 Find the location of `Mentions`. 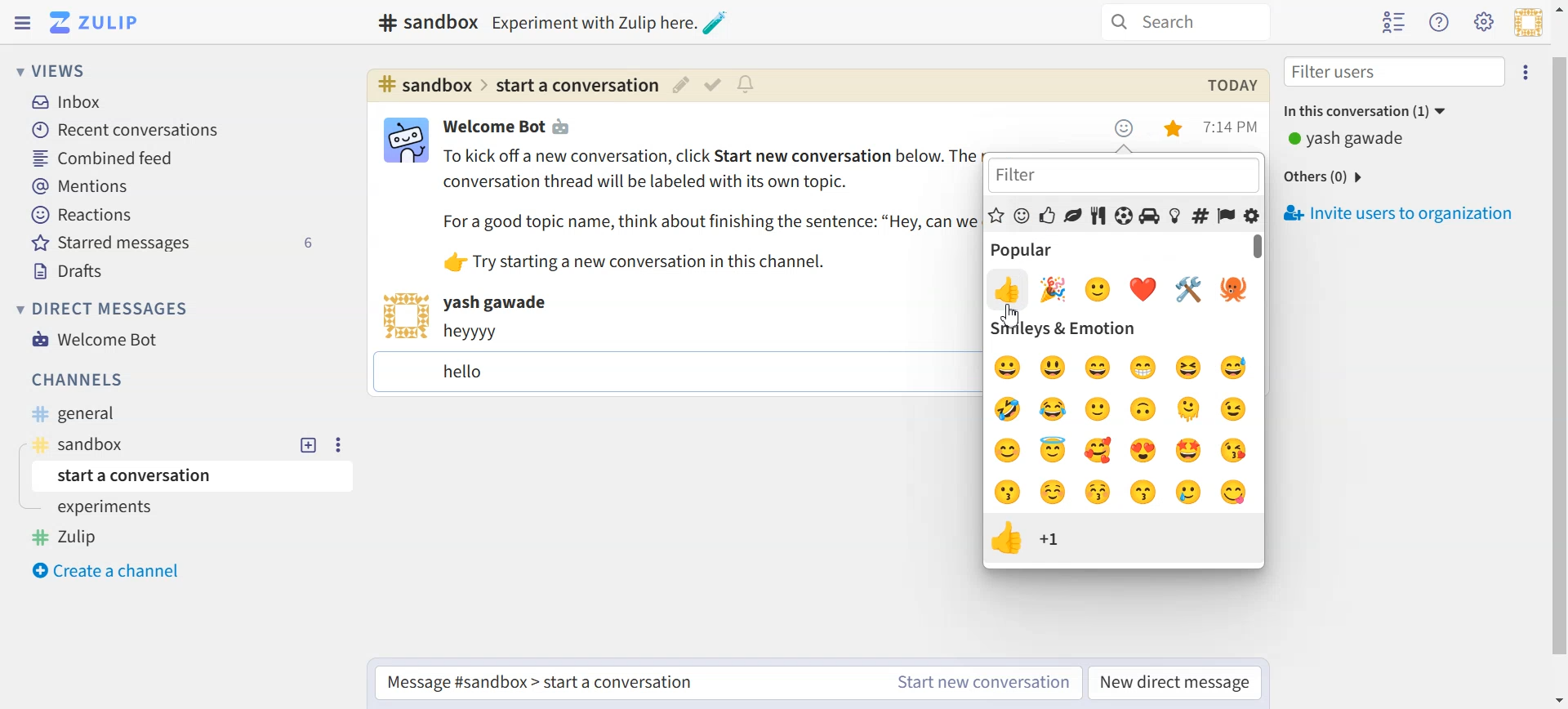

Mentions is located at coordinates (81, 186).